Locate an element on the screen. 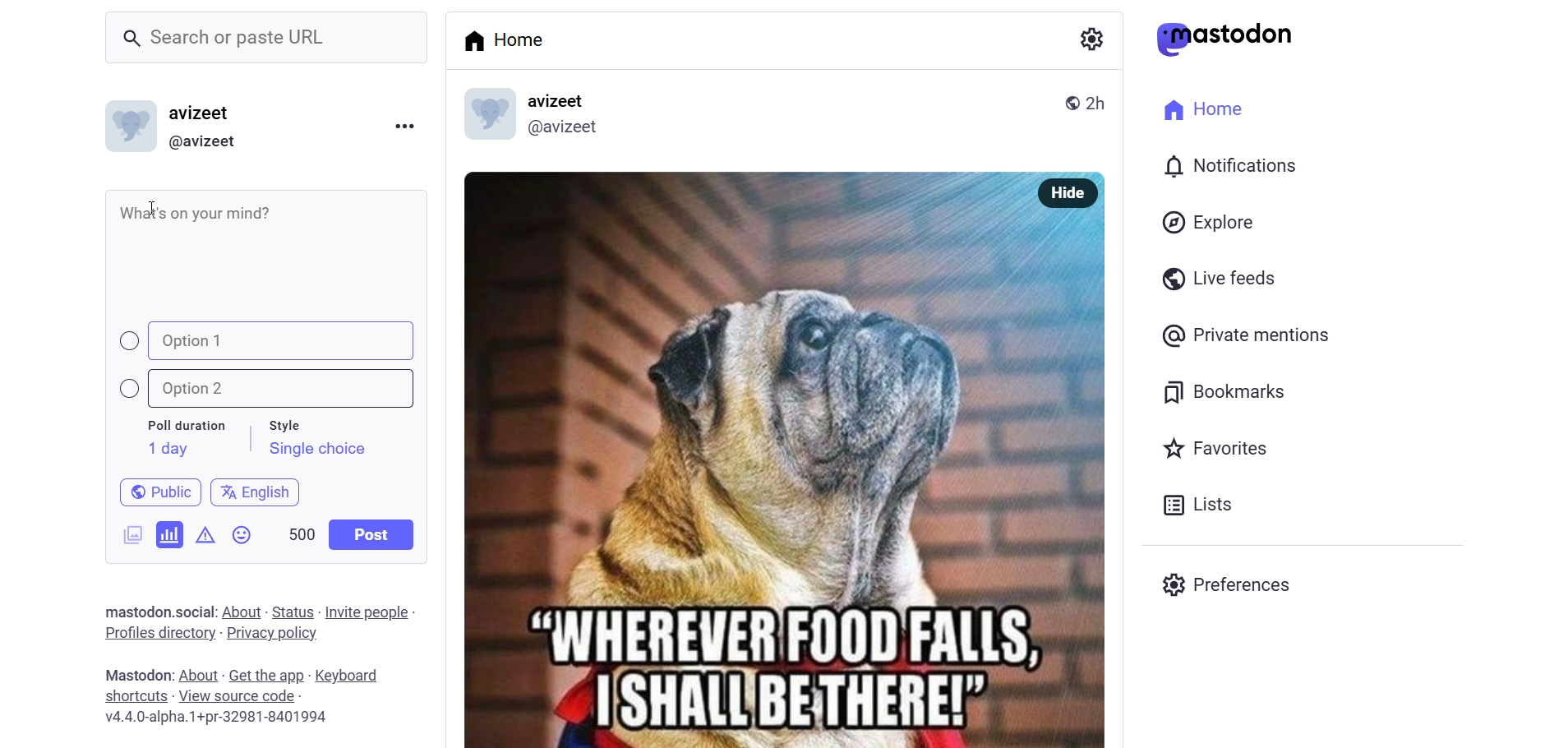 The width and height of the screenshot is (1568, 748). live feed is located at coordinates (1215, 277).